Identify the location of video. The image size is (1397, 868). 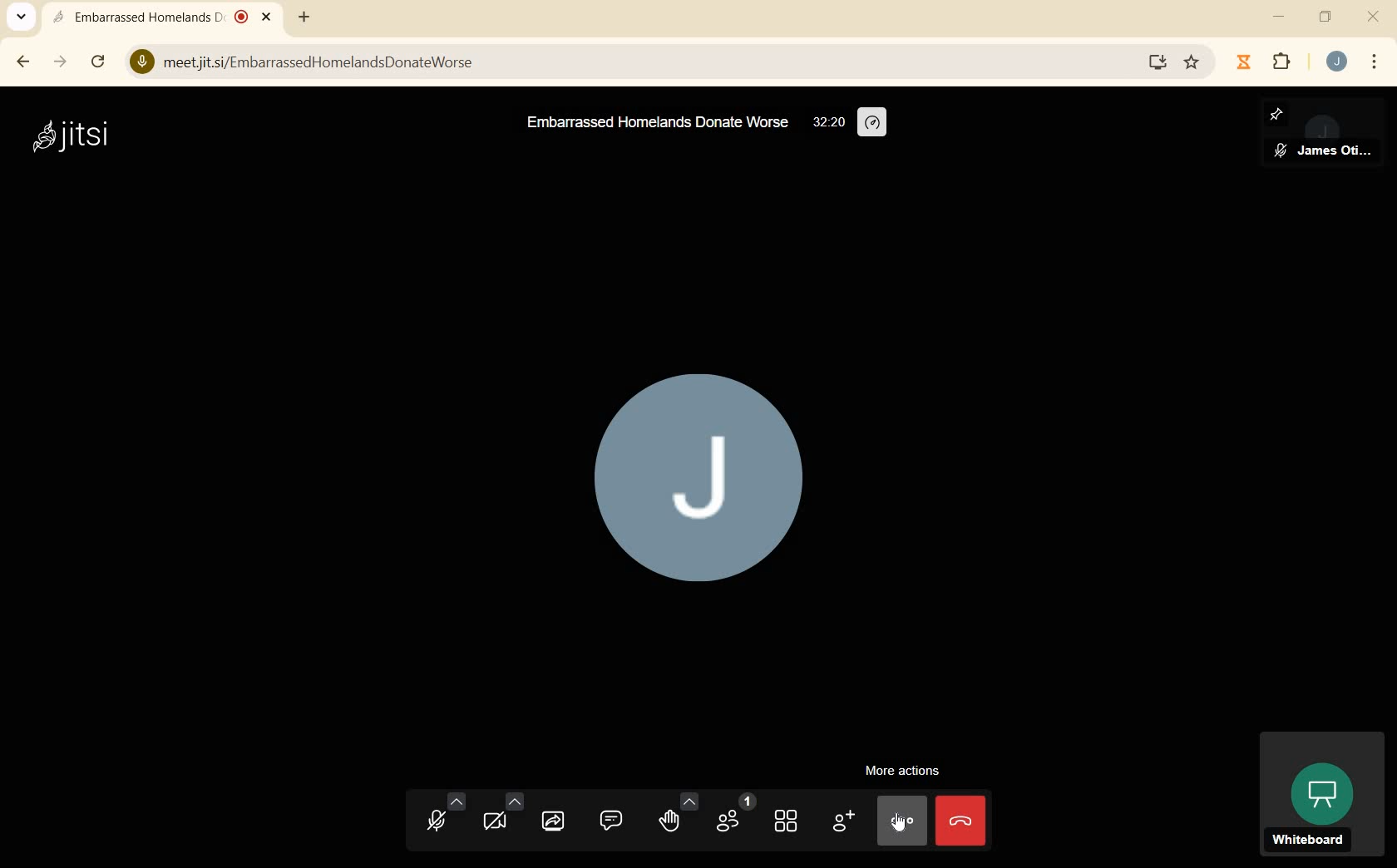
(501, 817).